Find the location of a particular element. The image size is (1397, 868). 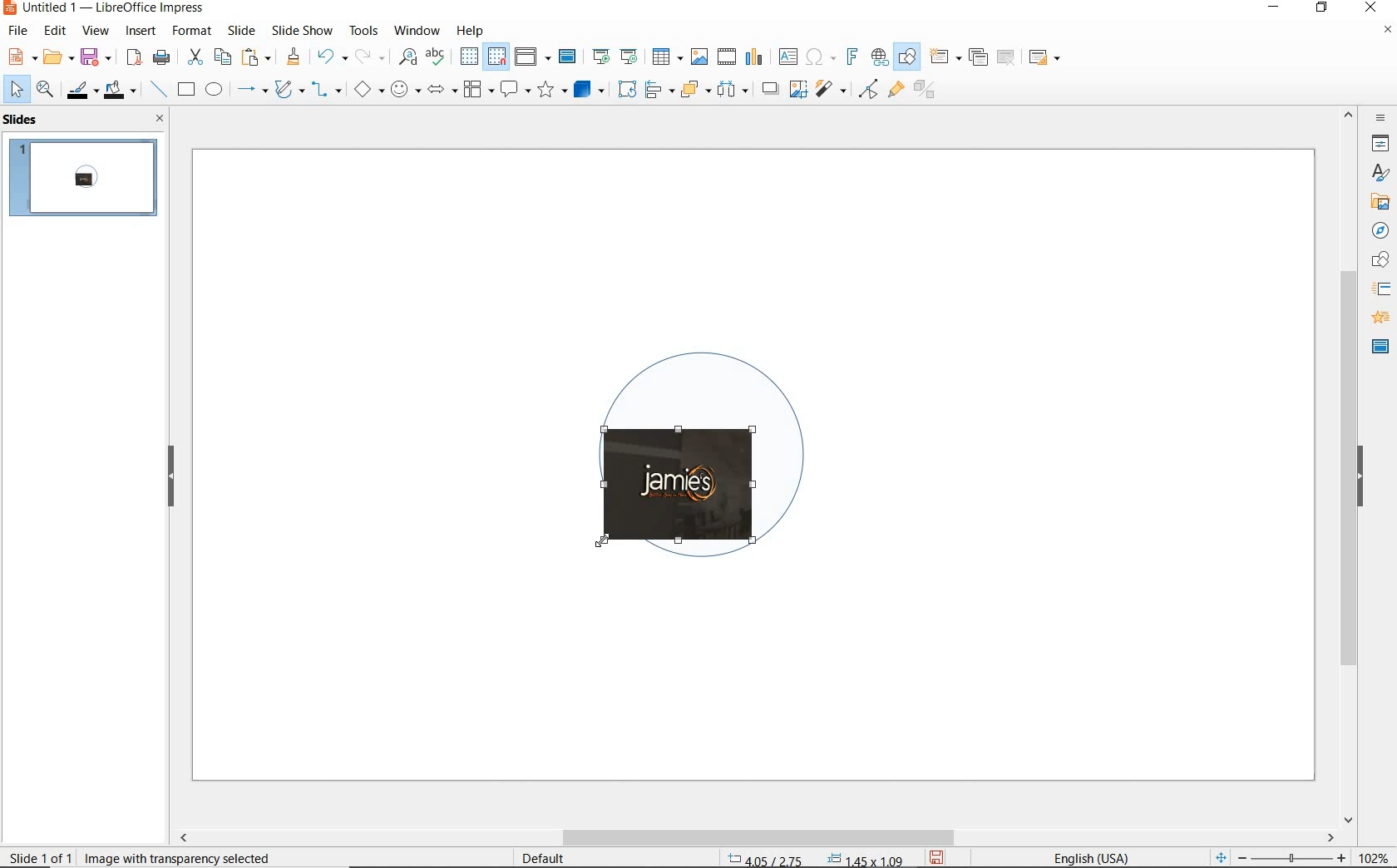

duplicate slide is located at coordinates (978, 57).